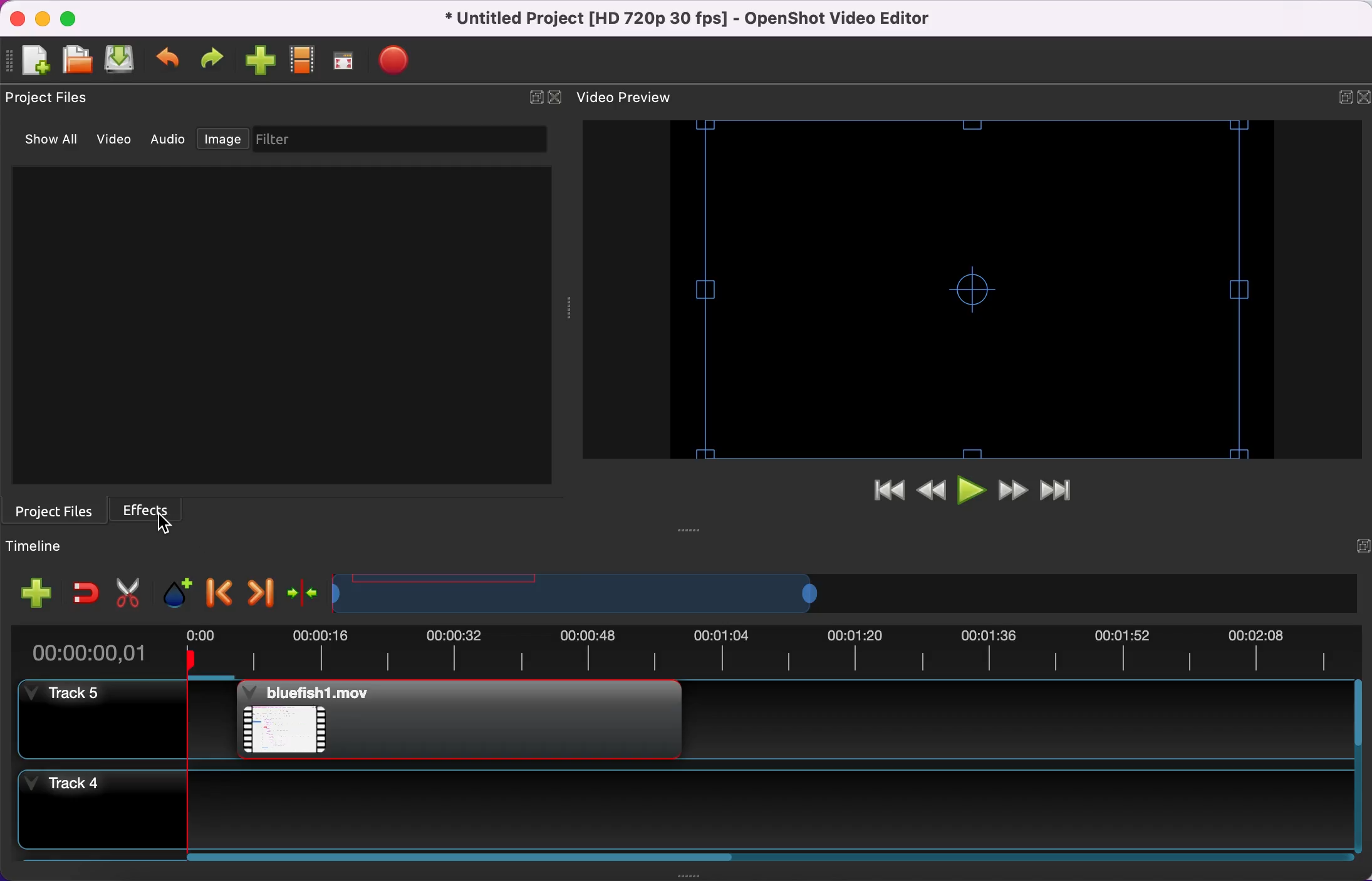  I want to click on project files, so click(56, 513).